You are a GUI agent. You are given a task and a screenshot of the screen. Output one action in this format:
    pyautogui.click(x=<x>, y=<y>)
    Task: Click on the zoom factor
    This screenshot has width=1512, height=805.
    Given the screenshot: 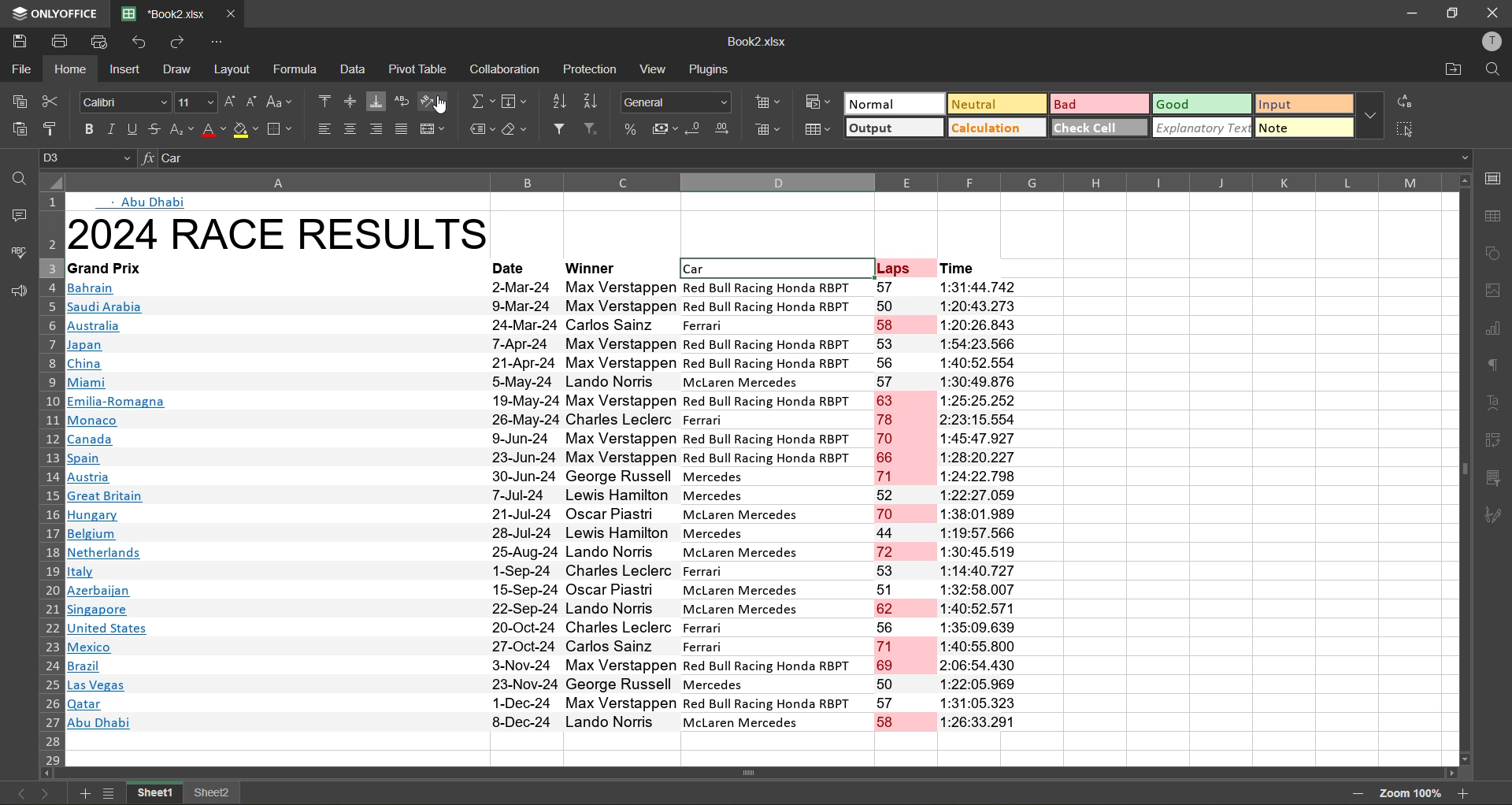 What is the action you would take?
    pyautogui.click(x=1414, y=793)
    